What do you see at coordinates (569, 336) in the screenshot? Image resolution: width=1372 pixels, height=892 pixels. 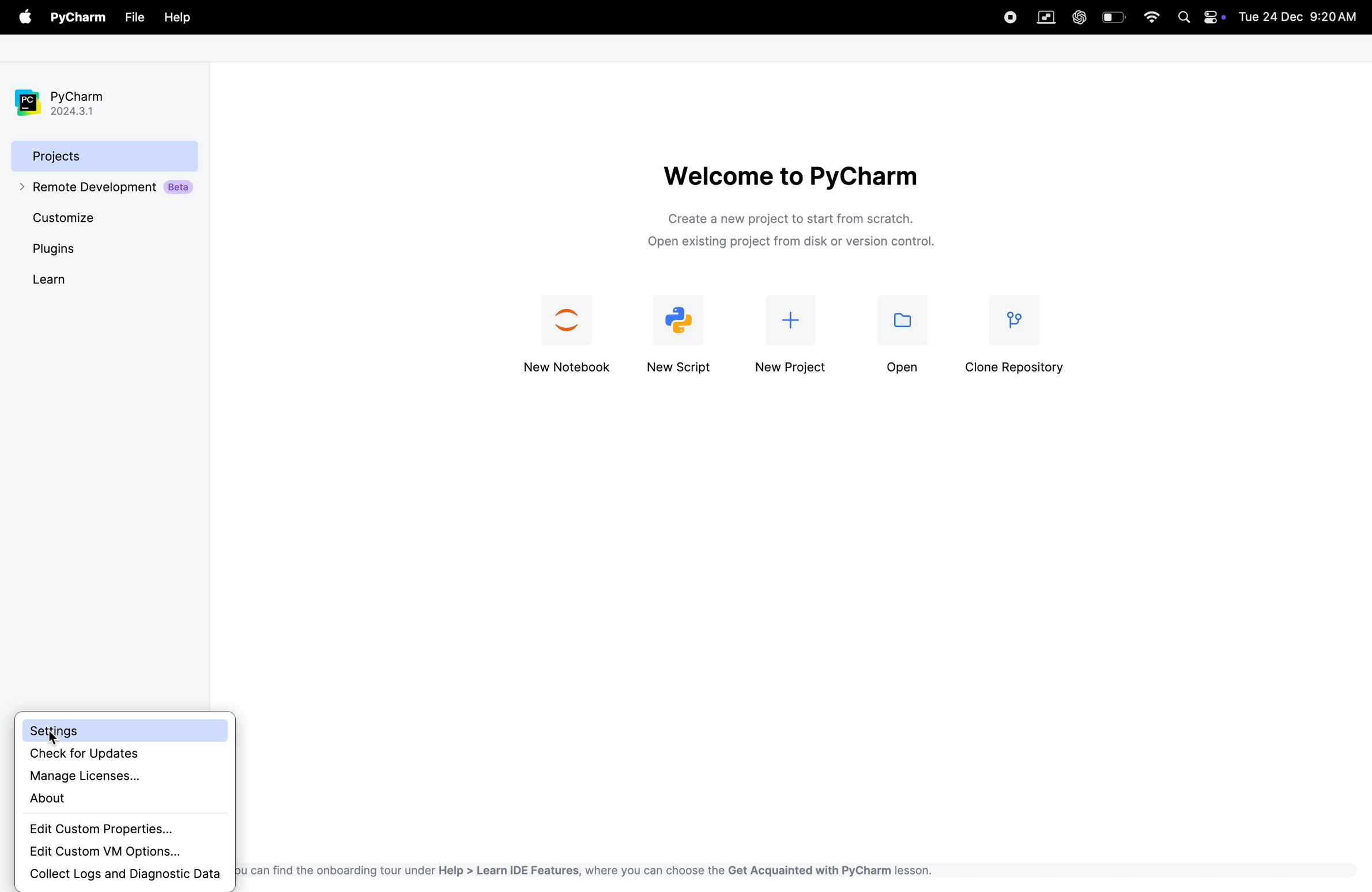 I see `jupyter ` at bounding box center [569, 336].